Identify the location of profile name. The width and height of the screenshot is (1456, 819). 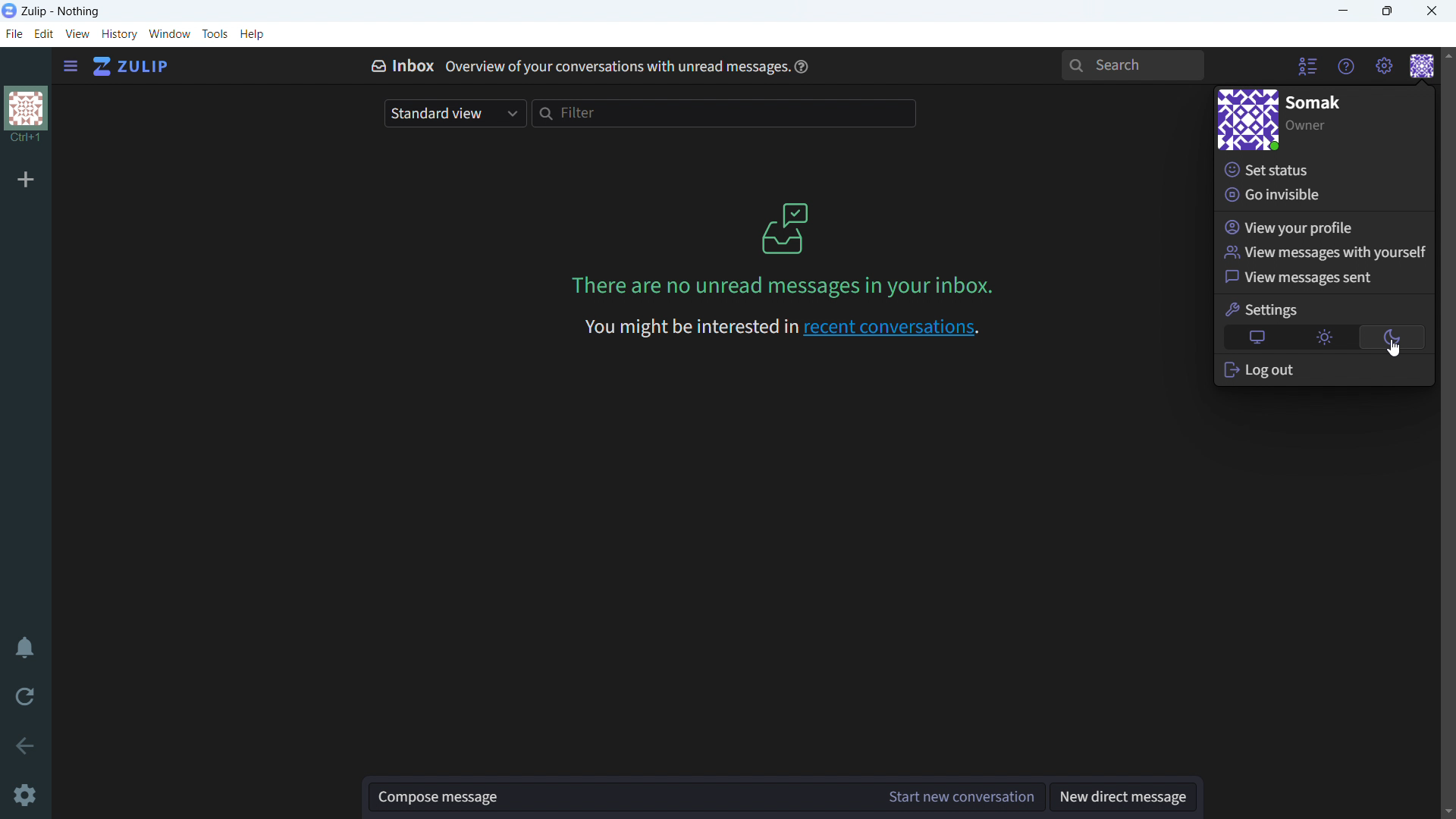
(1316, 102).